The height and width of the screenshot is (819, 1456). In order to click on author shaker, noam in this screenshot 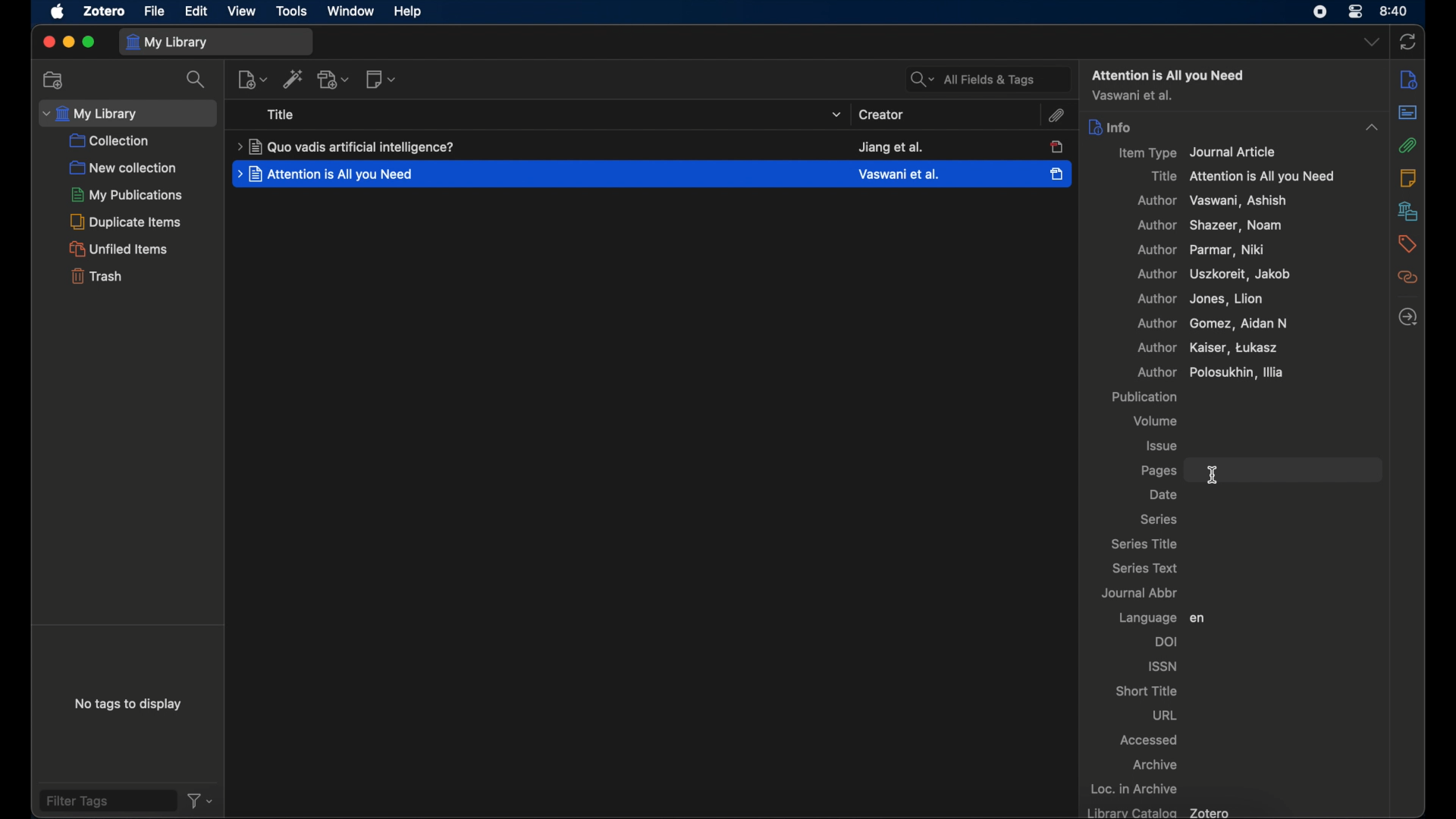, I will do `click(1214, 227)`.